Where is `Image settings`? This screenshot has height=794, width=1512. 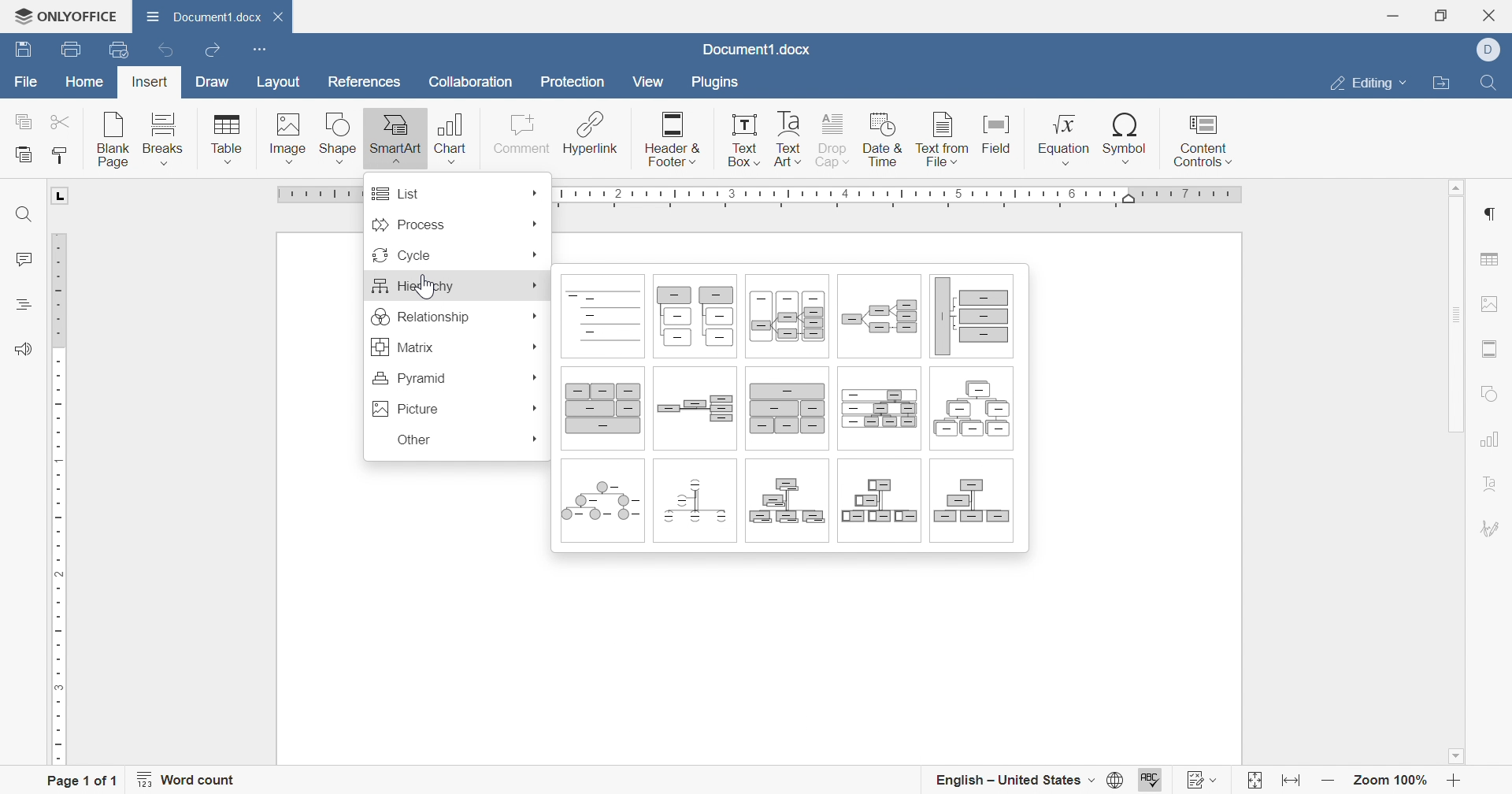 Image settings is located at coordinates (1491, 303).